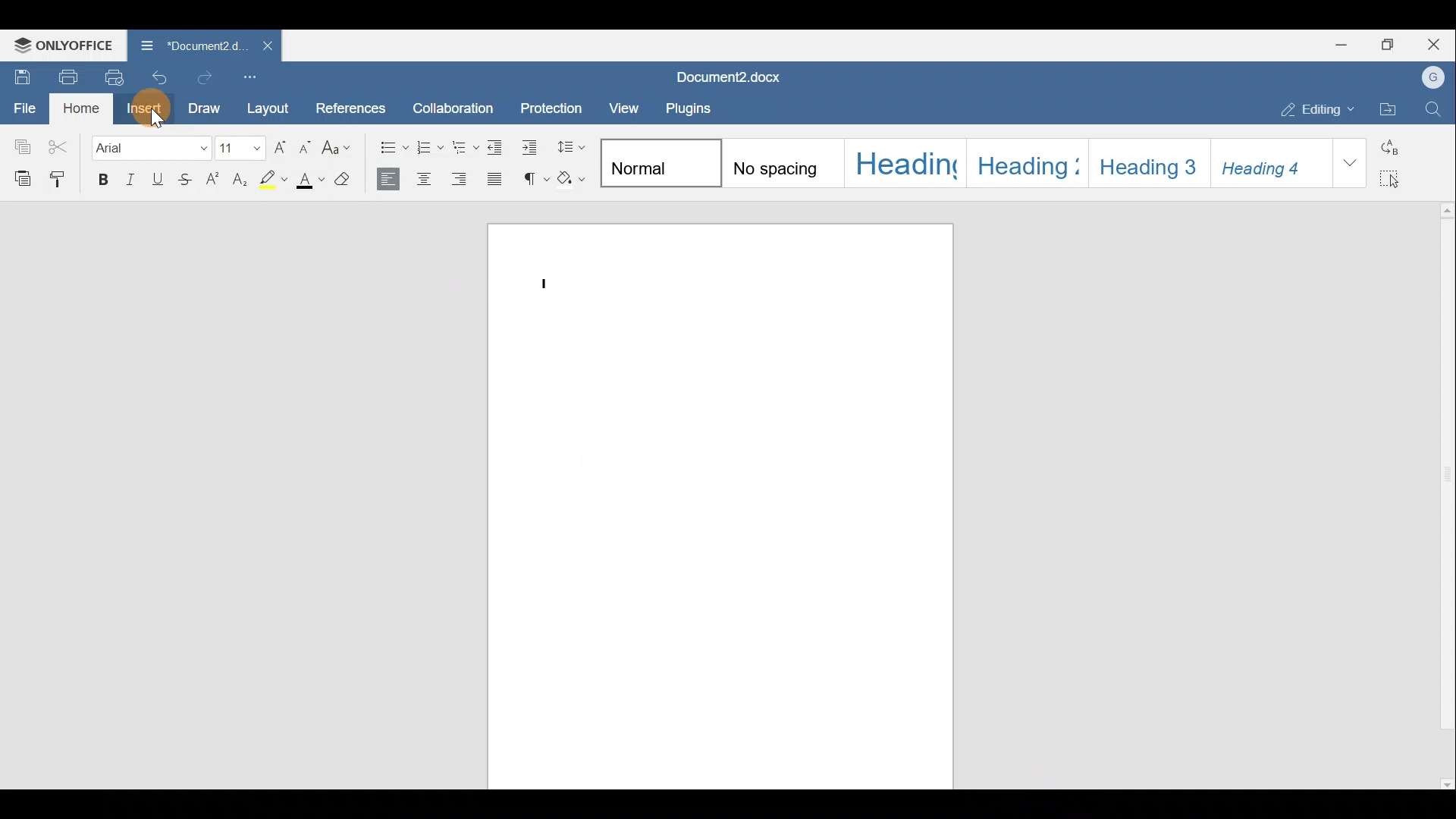  I want to click on Save, so click(19, 77).